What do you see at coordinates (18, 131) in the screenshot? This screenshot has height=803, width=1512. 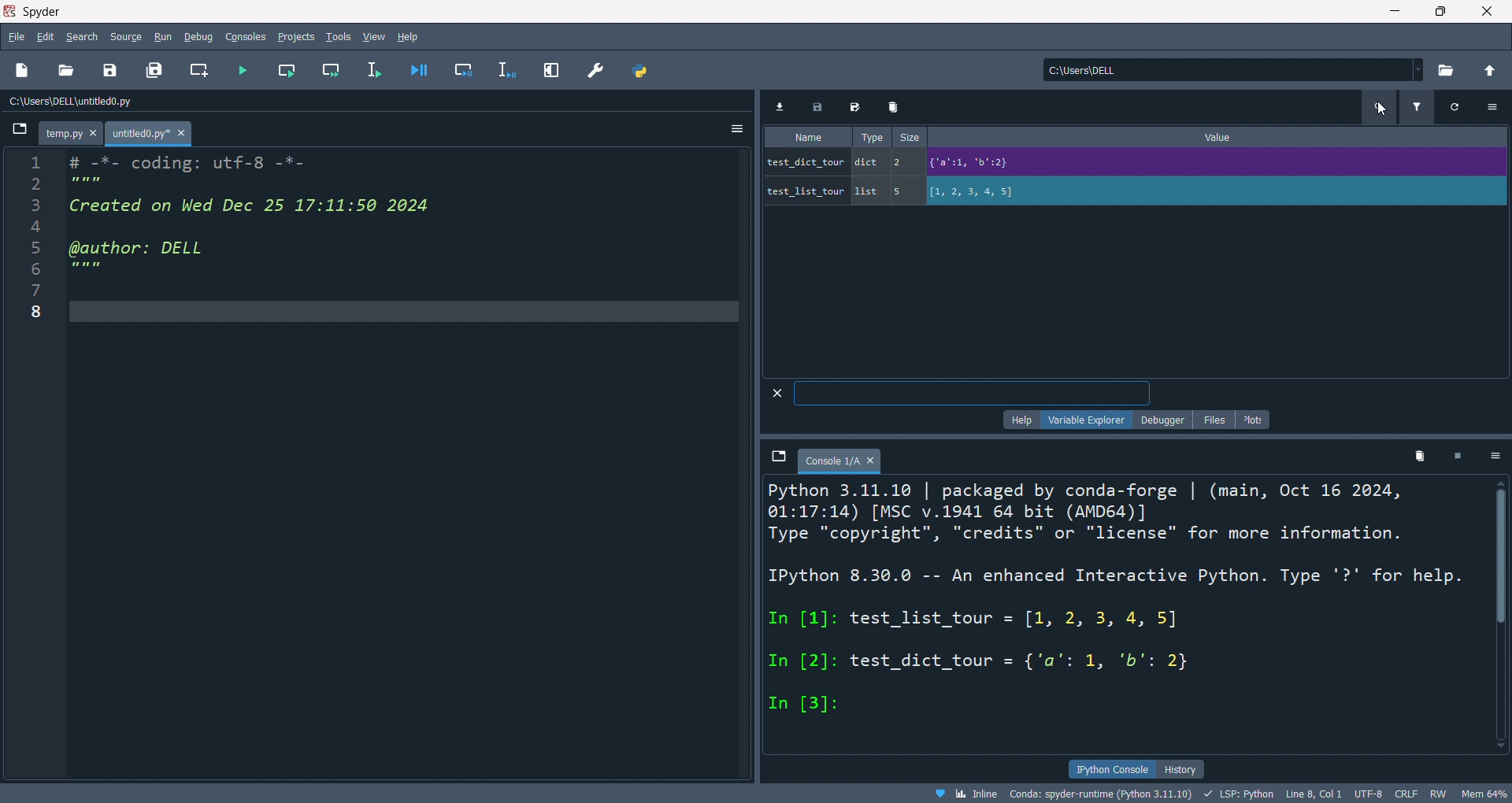 I see `browse tabs` at bounding box center [18, 131].